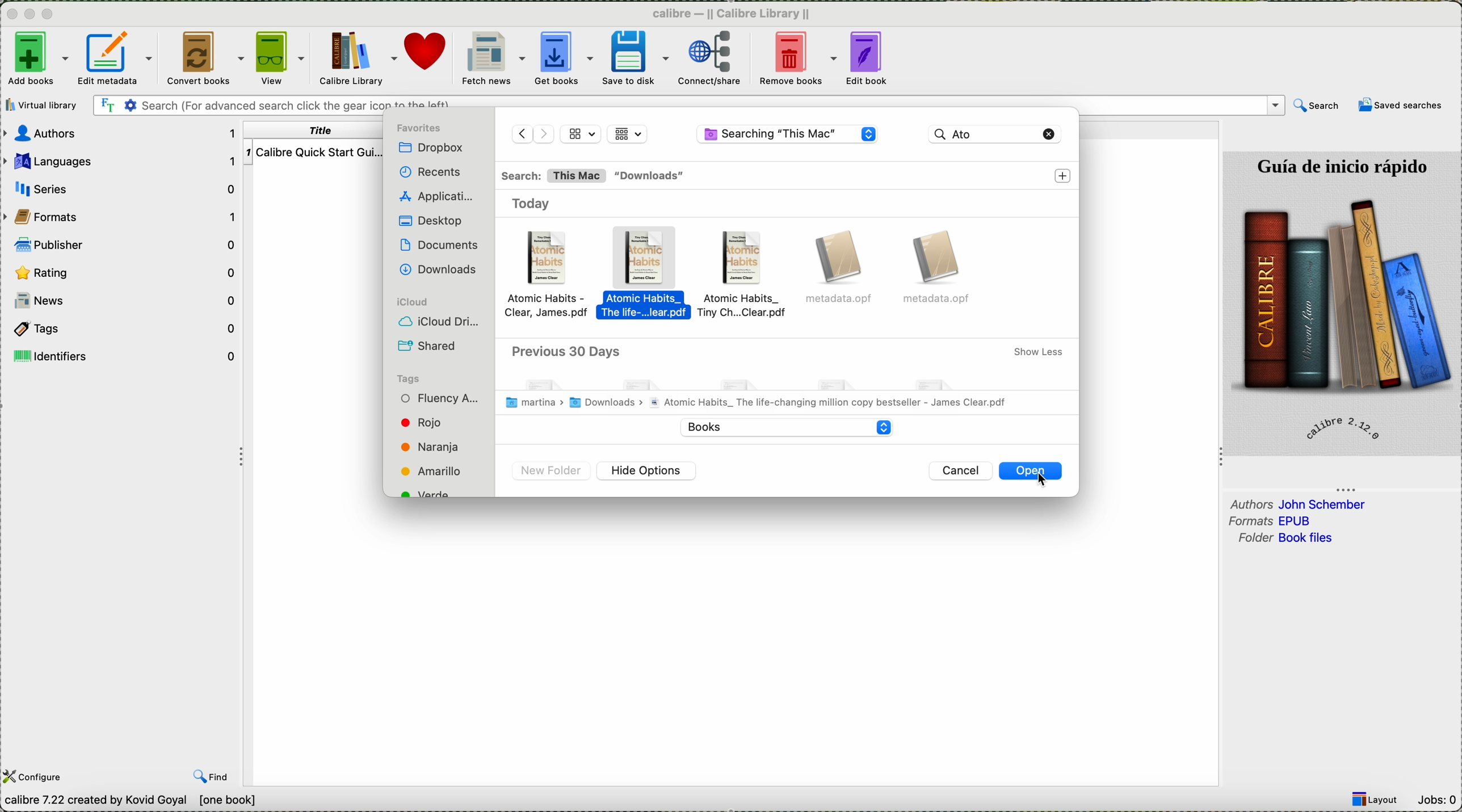  What do you see at coordinates (36, 60) in the screenshot?
I see `click on add books` at bounding box center [36, 60].